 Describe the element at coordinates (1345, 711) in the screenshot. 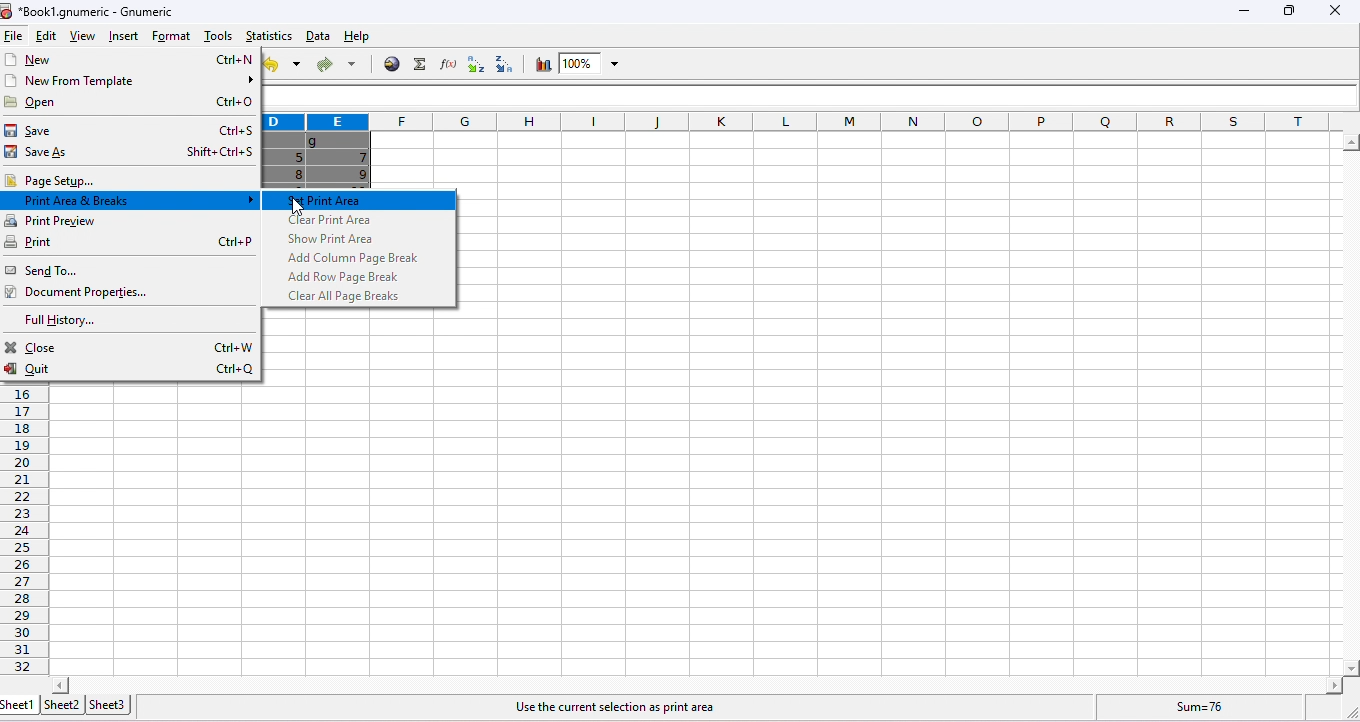

I see `expand` at that location.